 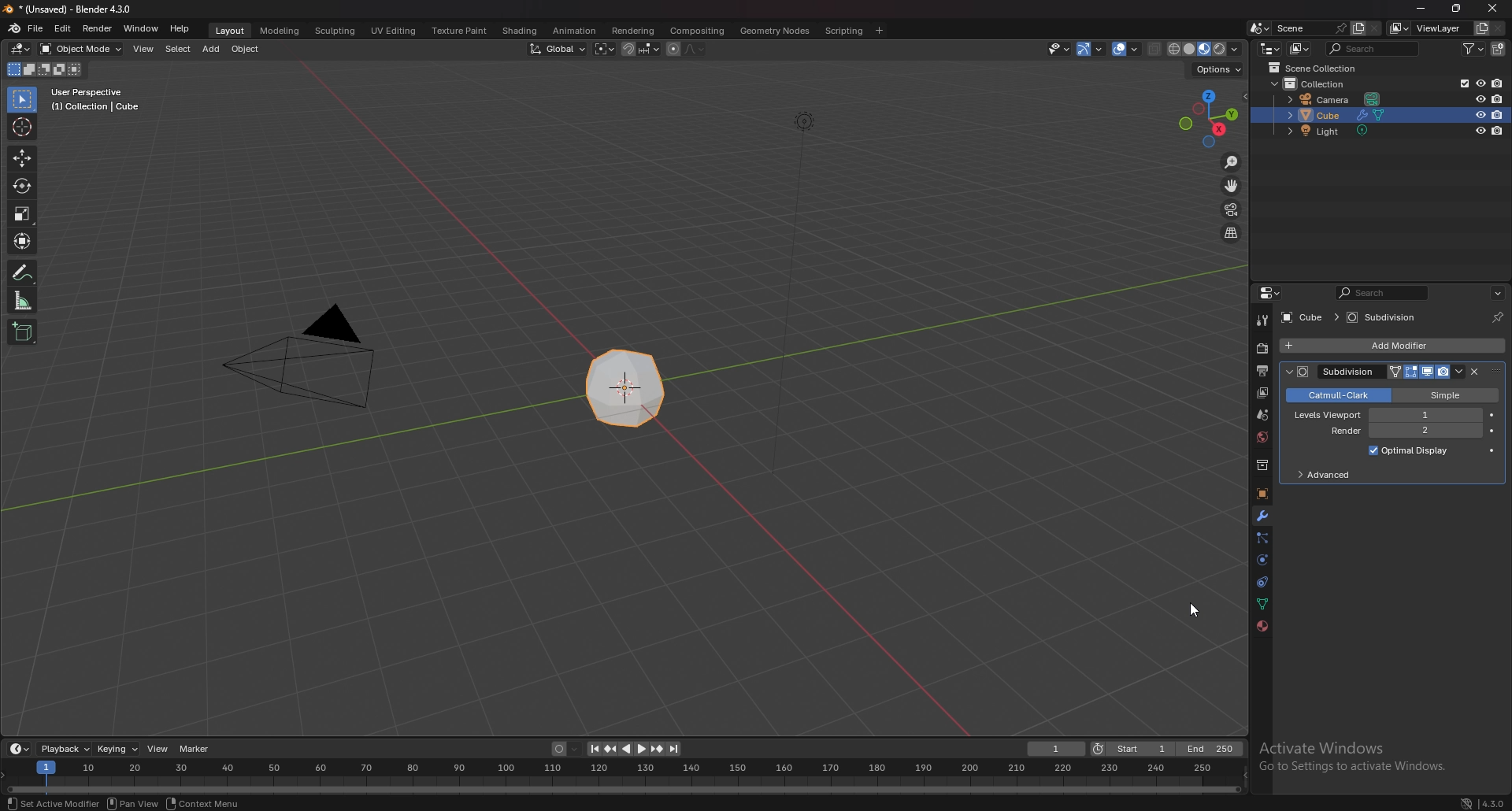 What do you see at coordinates (1333, 131) in the screenshot?
I see `light` at bounding box center [1333, 131].